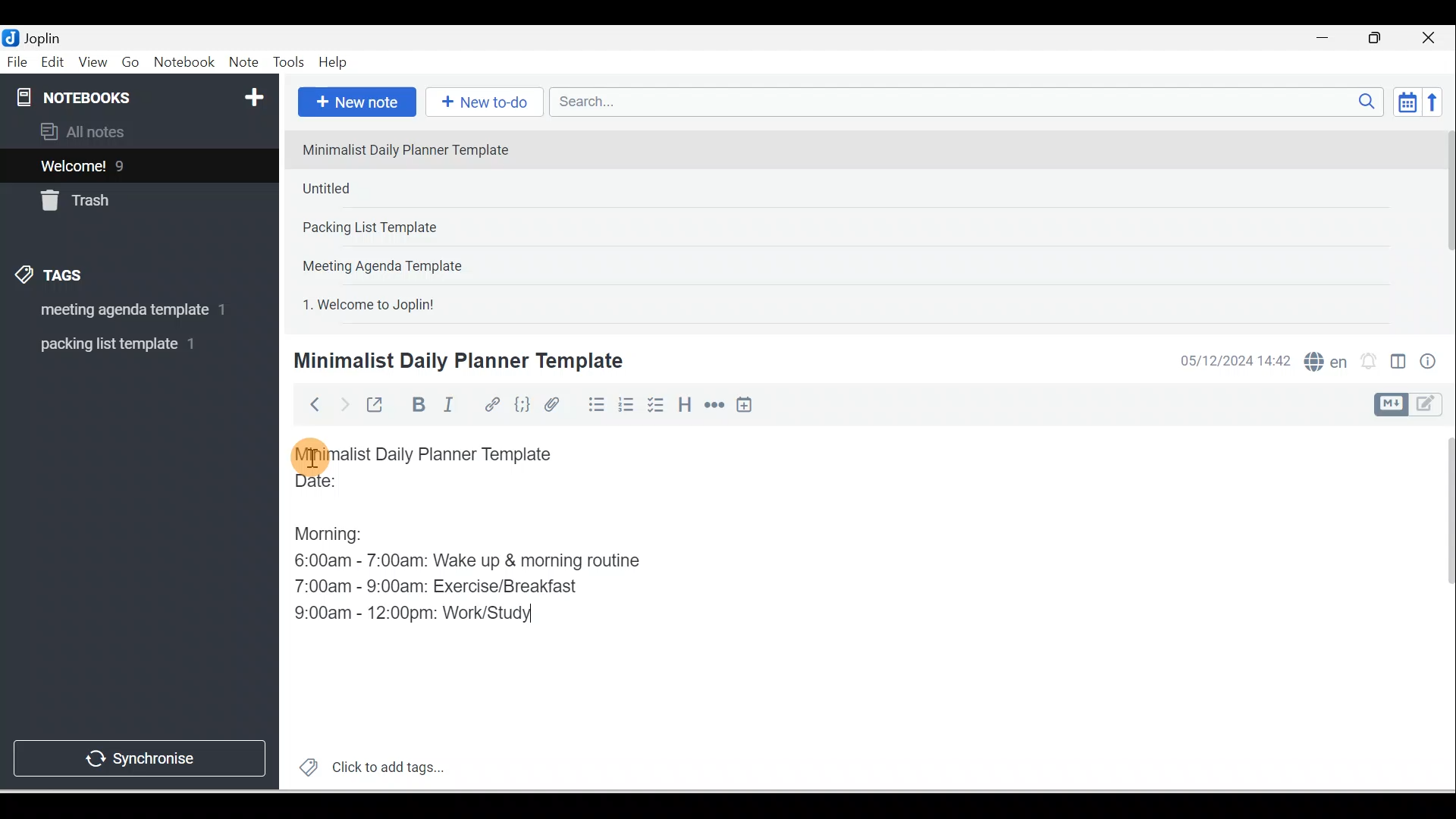 The height and width of the screenshot is (819, 1456). Describe the element at coordinates (1327, 39) in the screenshot. I see `Minimise` at that location.